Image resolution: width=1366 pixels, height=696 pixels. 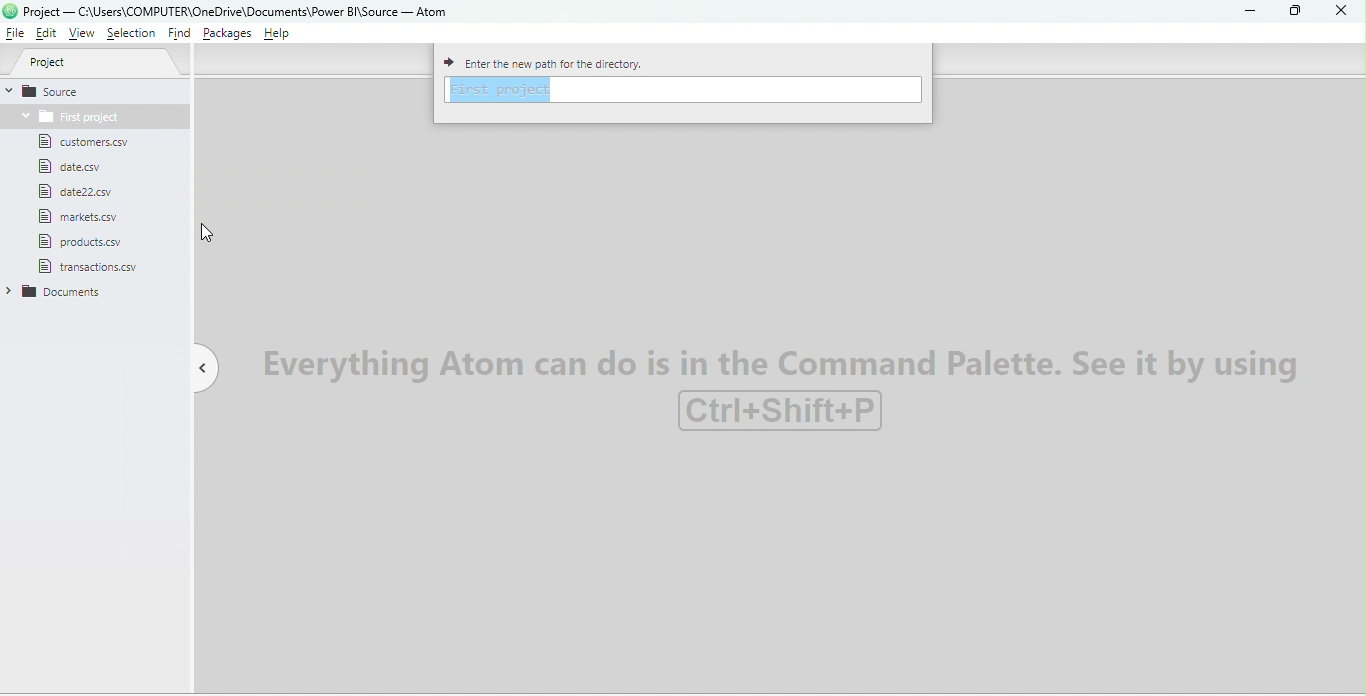 I want to click on Source, so click(x=95, y=90).